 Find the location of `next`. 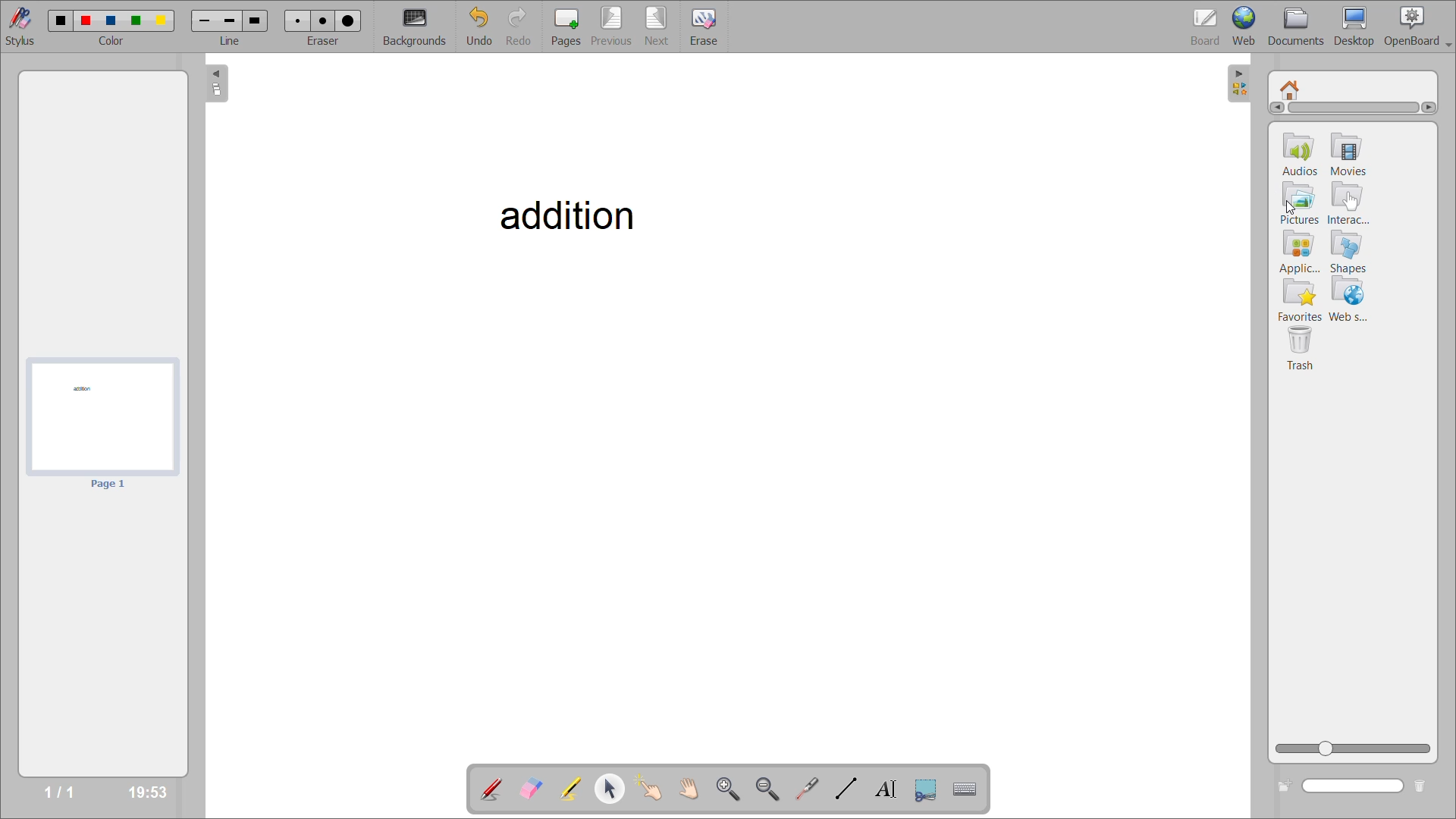

next is located at coordinates (658, 27).